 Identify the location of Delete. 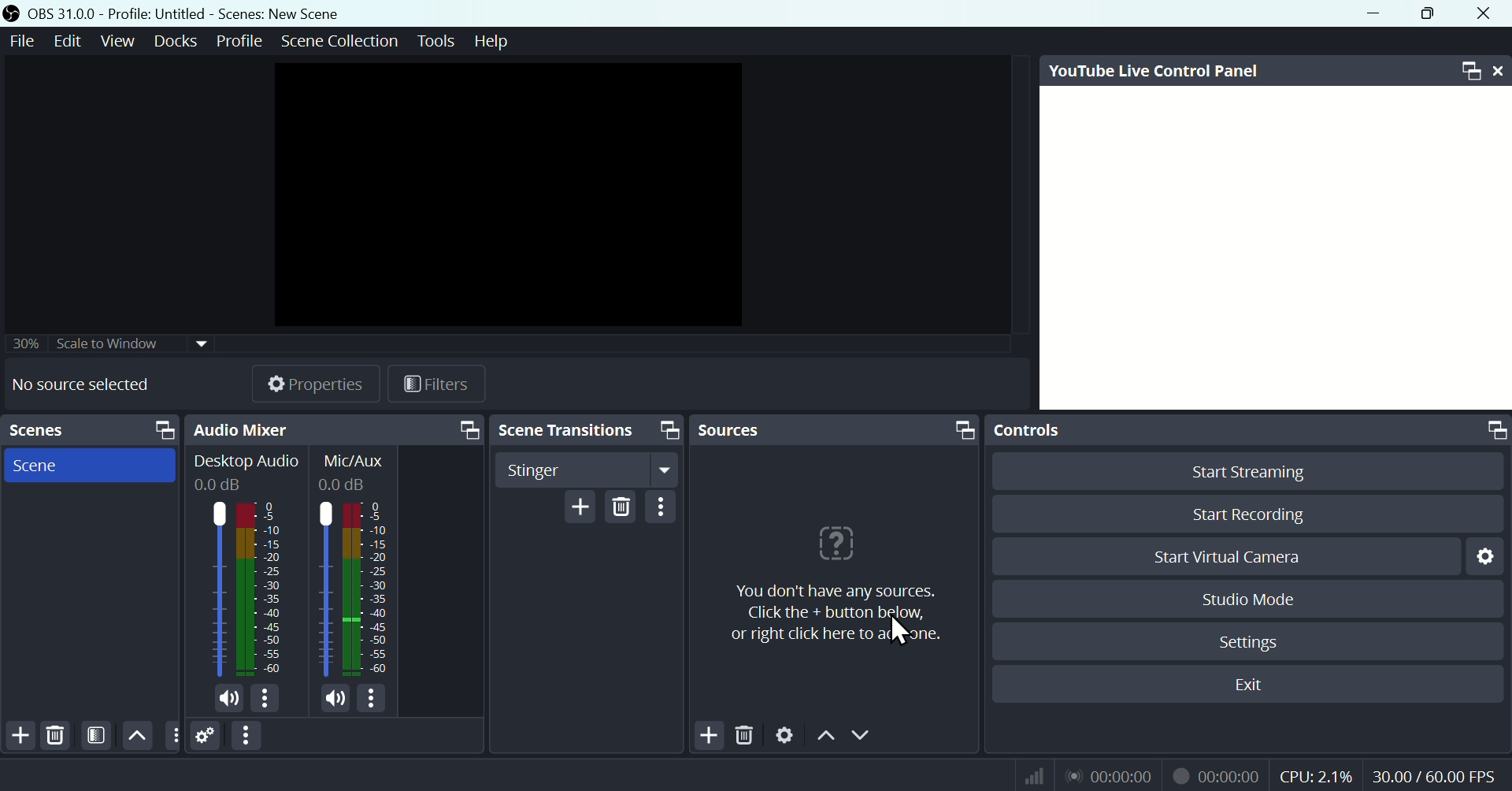
(745, 732).